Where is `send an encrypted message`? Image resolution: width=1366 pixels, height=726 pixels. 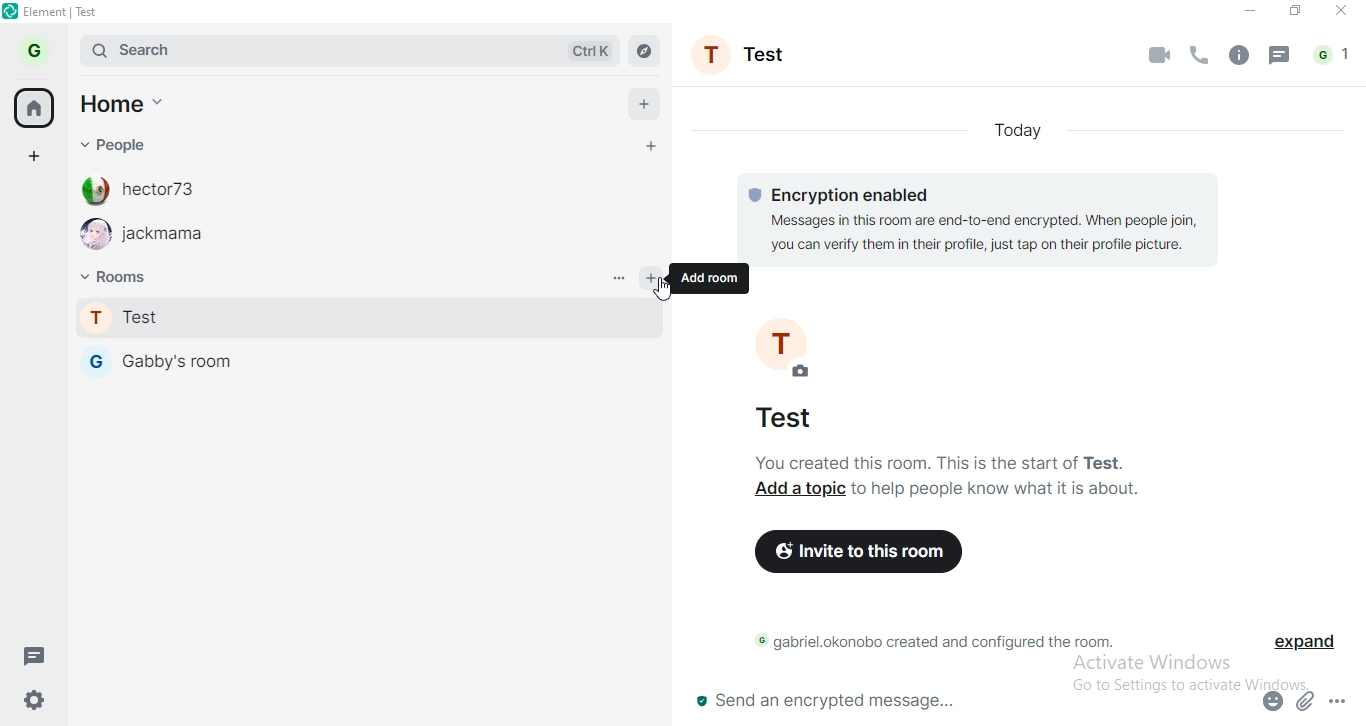 send an encrypted message is located at coordinates (973, 704).